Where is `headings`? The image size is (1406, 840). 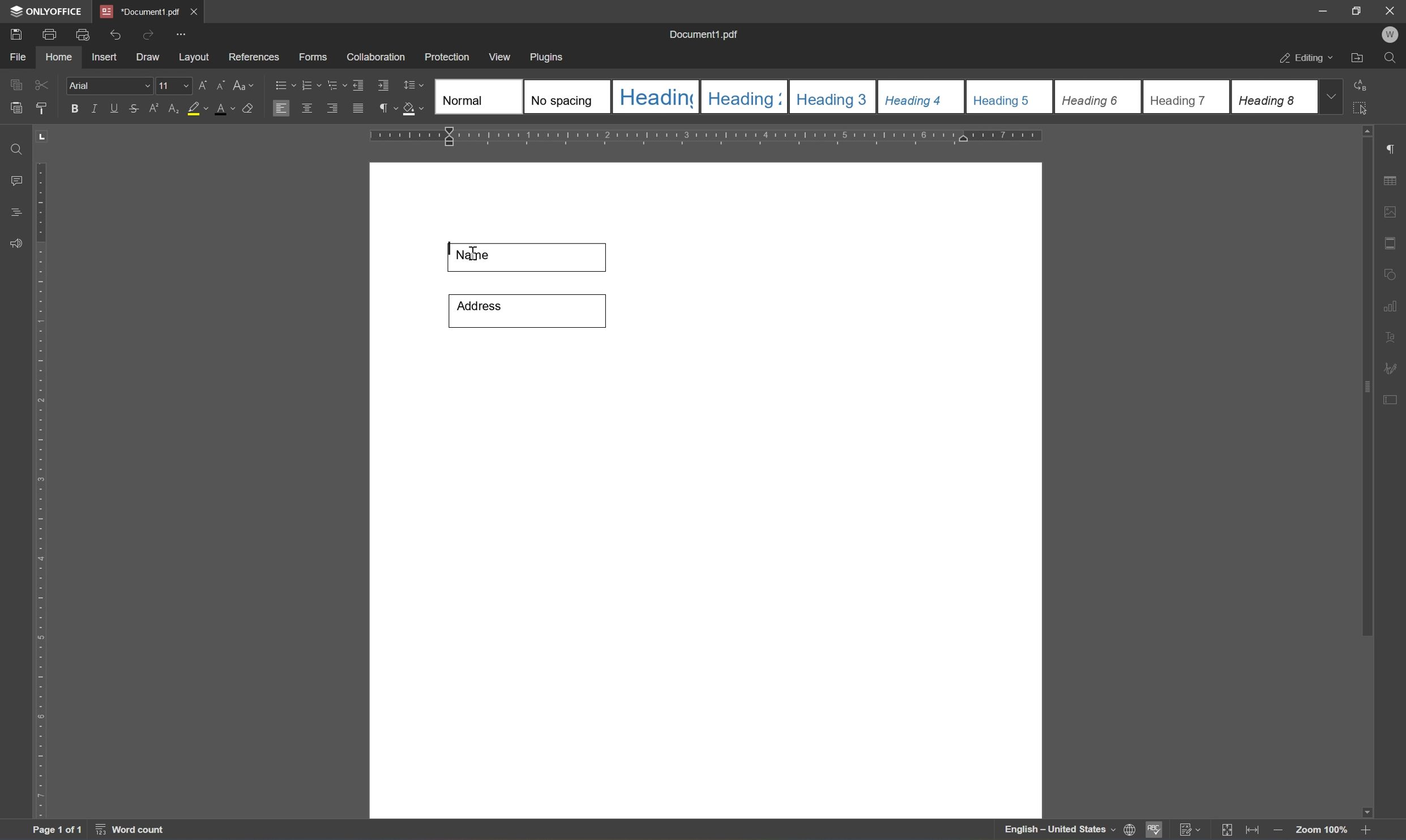 headings is located at coordinates (18, 209).